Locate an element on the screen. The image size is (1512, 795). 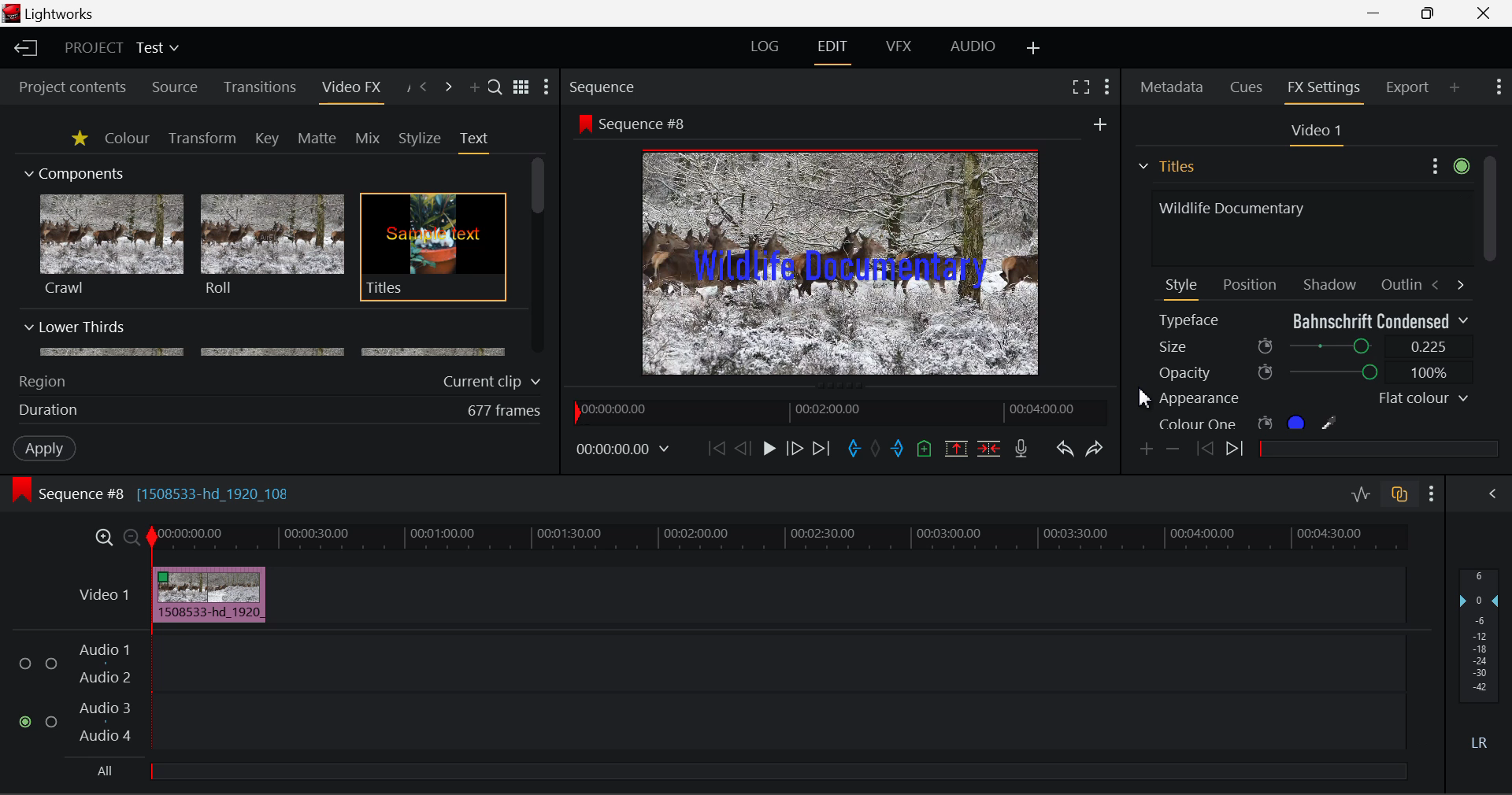
icon is located at coordinates (584, 123).